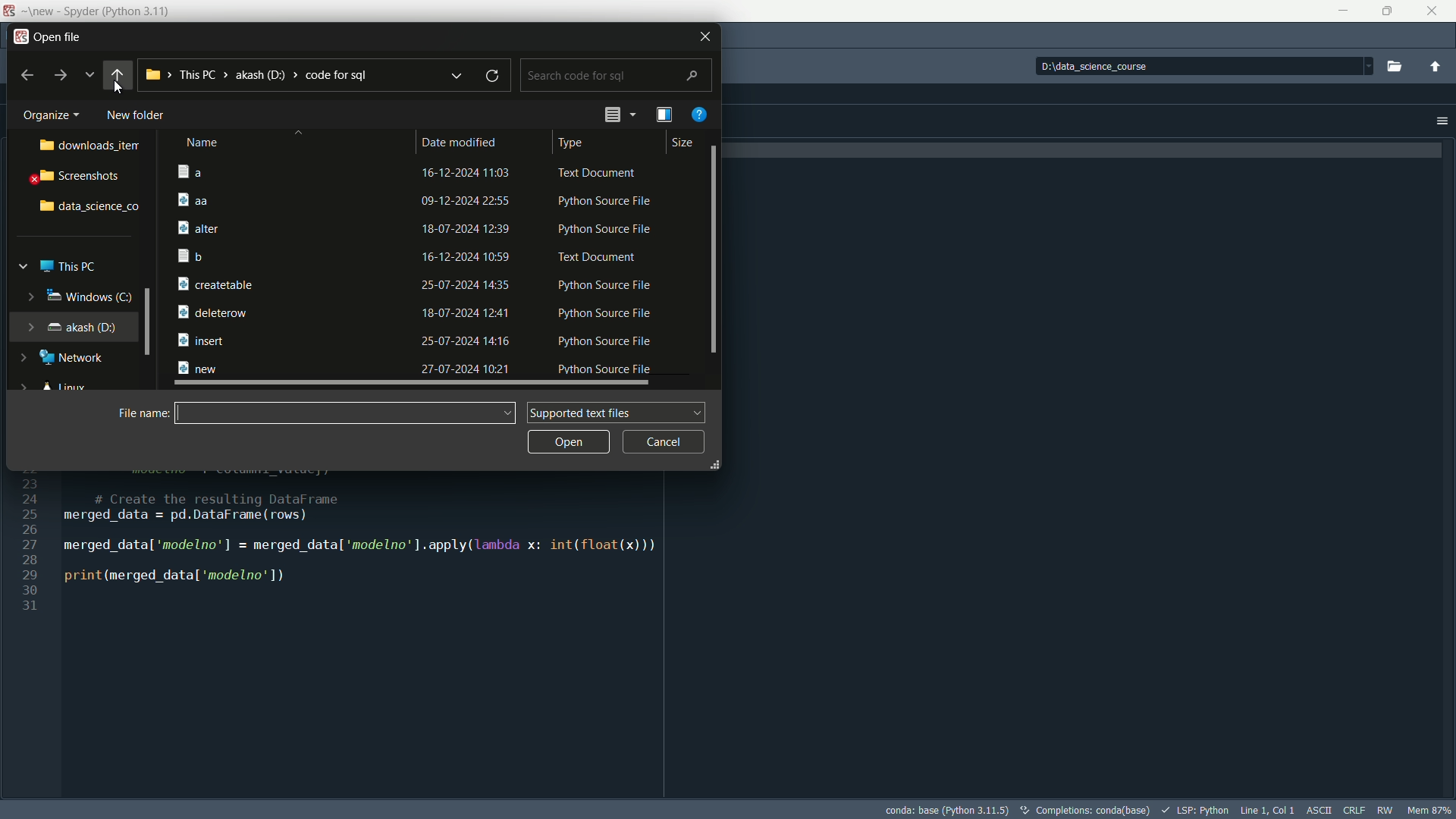  I want to click on supported text files, so click(614, 413).